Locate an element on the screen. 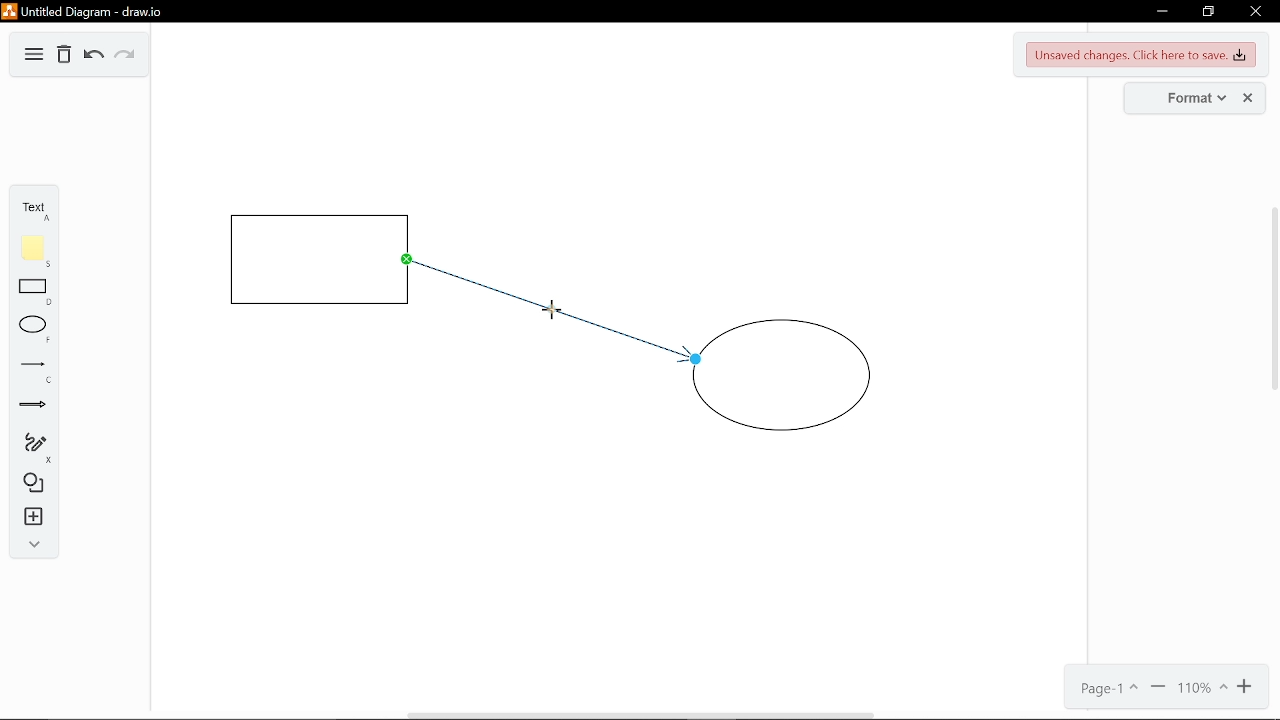  Scroll Bar is located at coordinates (1263, 300).